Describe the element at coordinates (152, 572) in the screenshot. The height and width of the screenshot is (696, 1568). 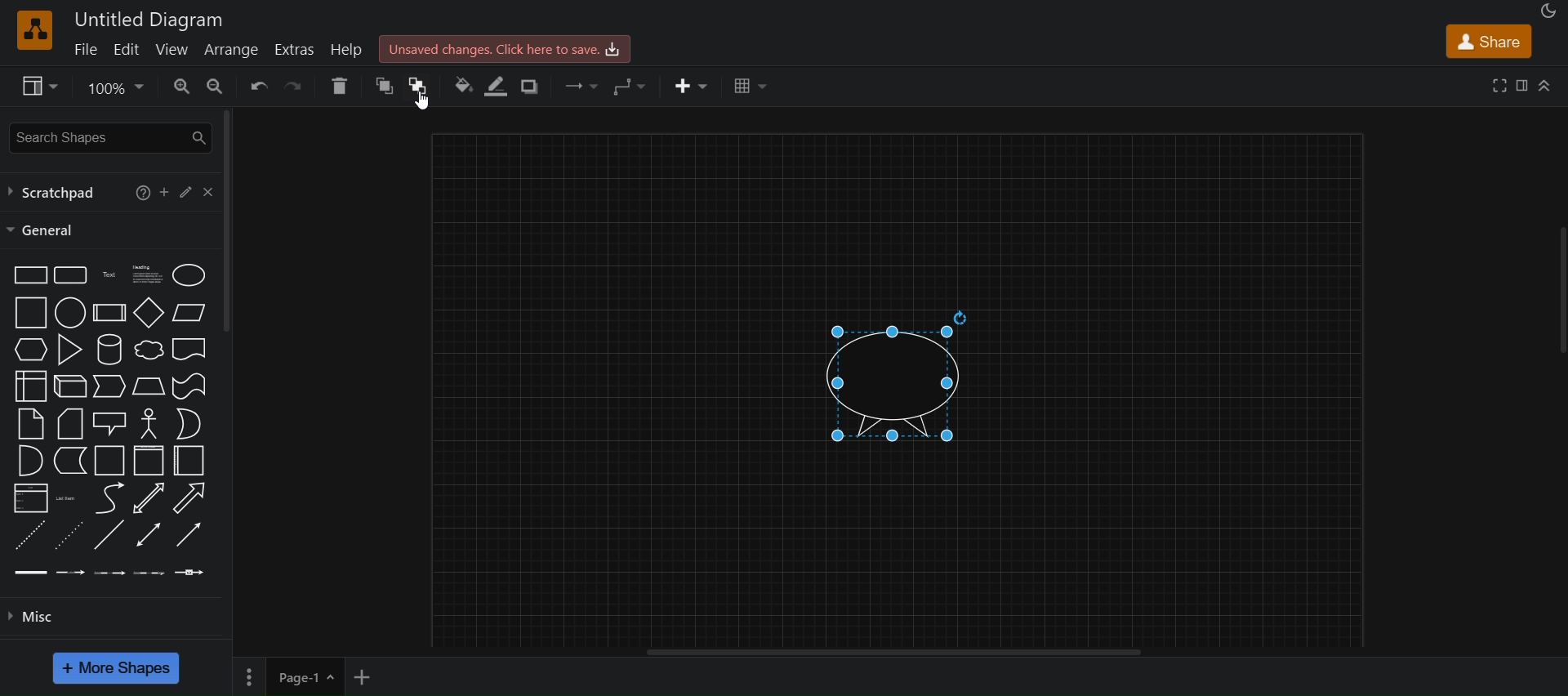
I see `connetor with 3 lable` at that location.